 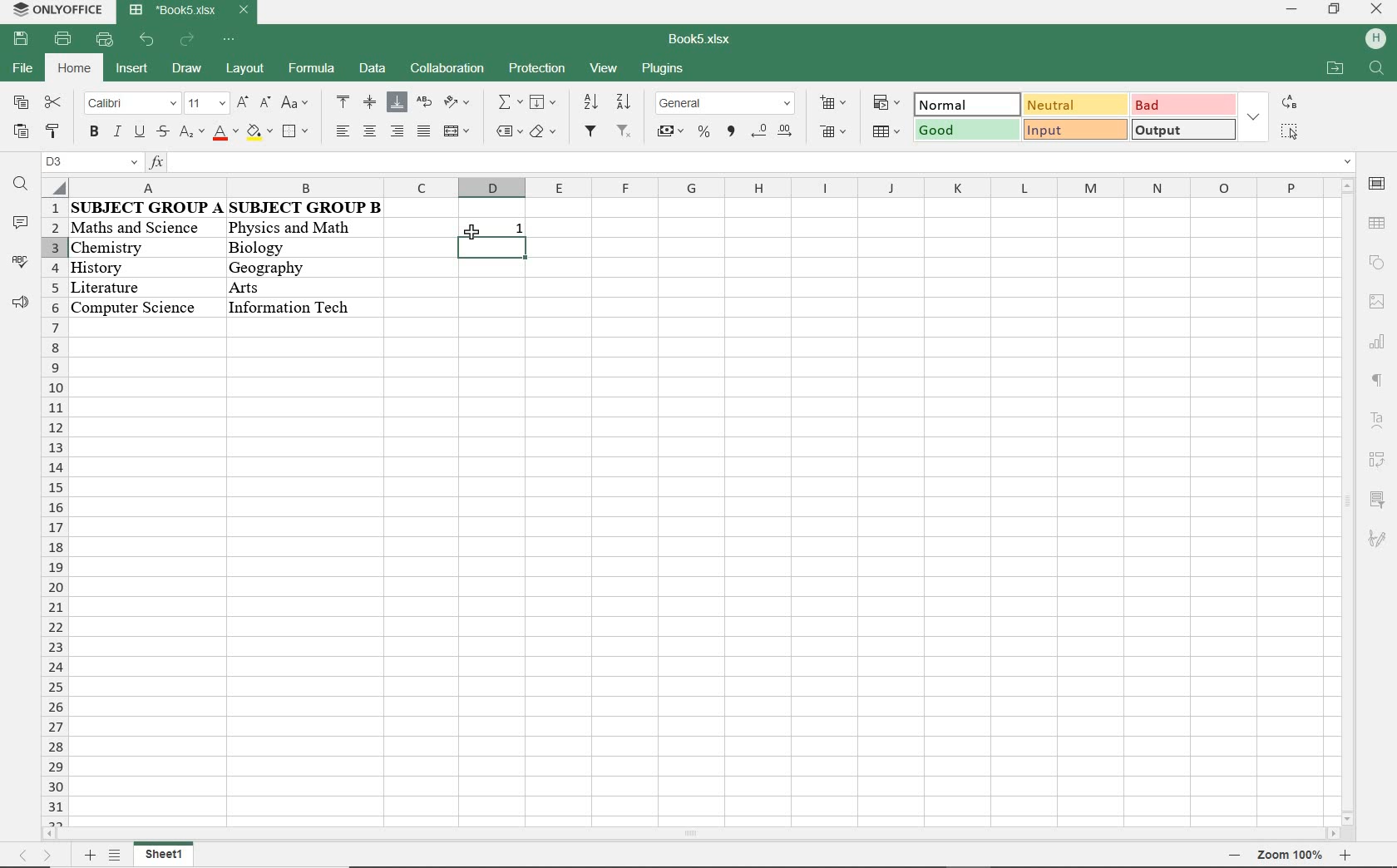 What do you see at coordinates (1378, 223) in the screenshot?
I see `sign` at bounding box center [1378, 223].